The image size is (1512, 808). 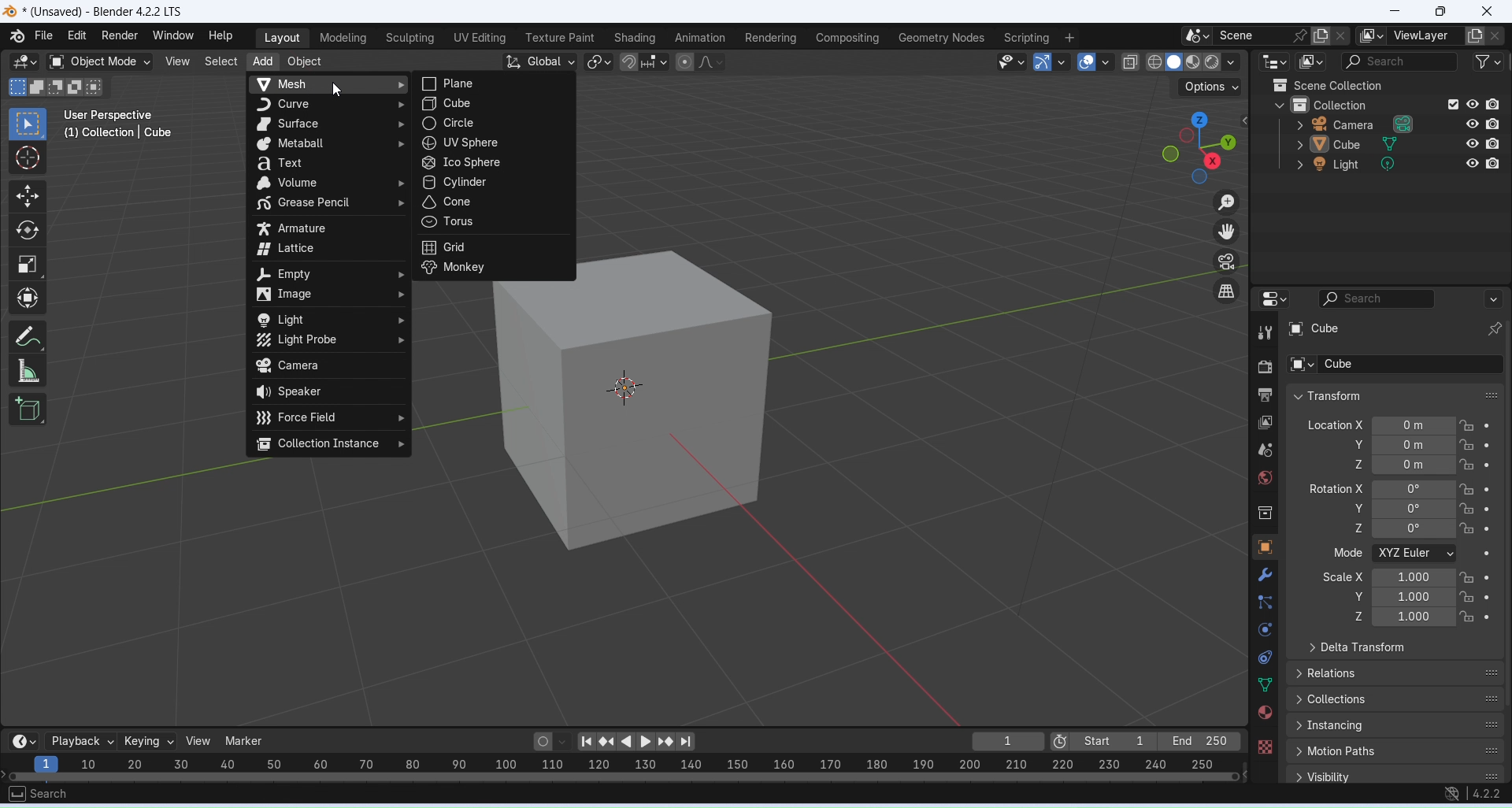 I want to click on search, so click(x=41, y=793).